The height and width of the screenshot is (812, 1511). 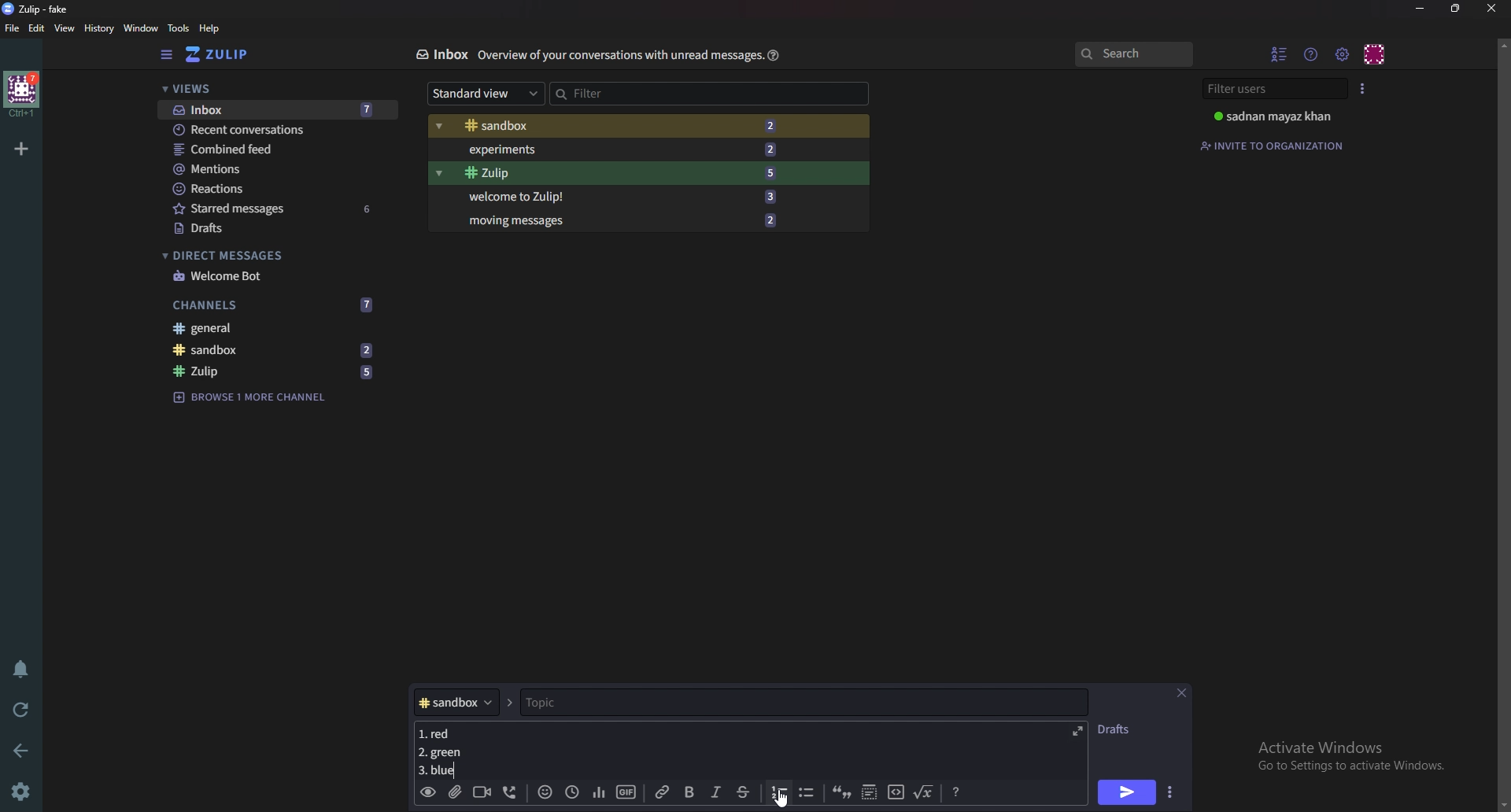 I want to click on Hide sidebar, so click(x=166, y=55).